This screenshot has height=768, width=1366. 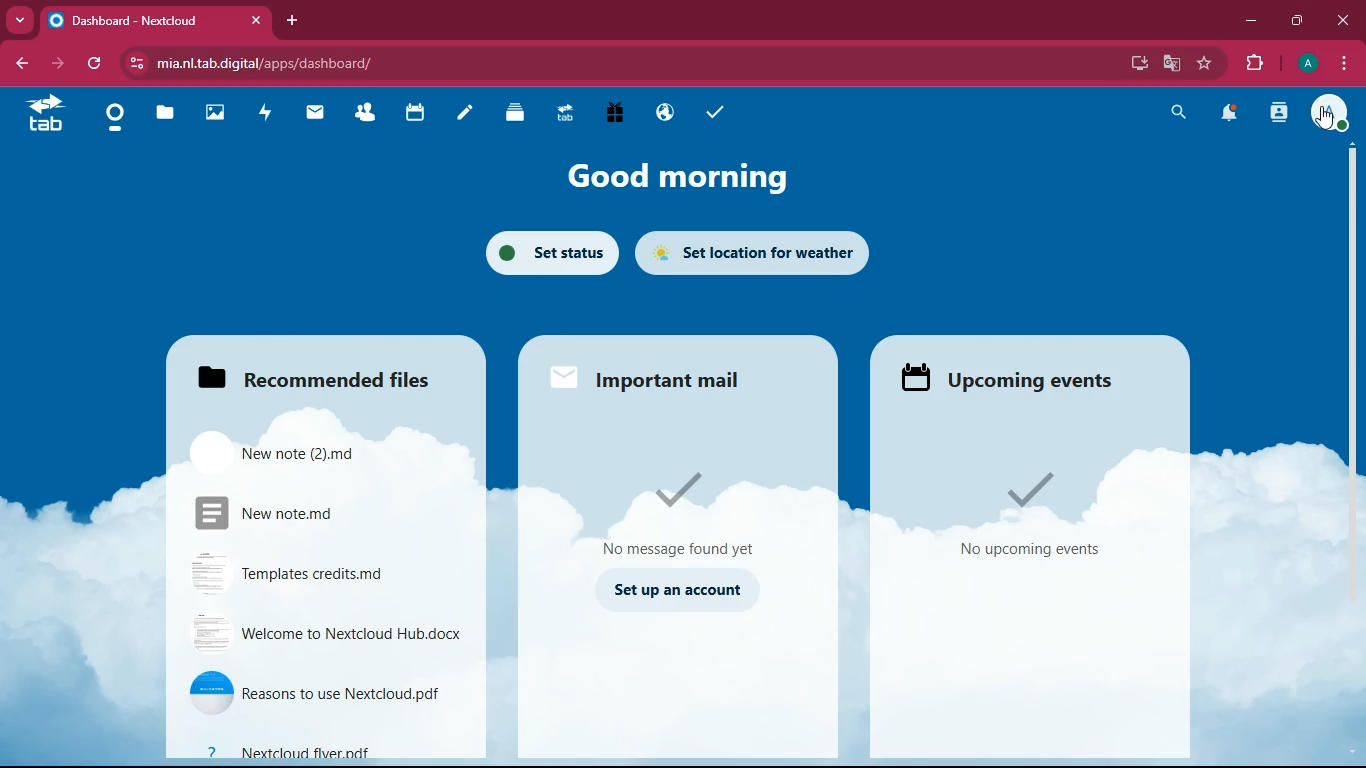 What do you see at coordinates (110, 119) in the screenshot?
I see `home` at bounding box center [110, 119].